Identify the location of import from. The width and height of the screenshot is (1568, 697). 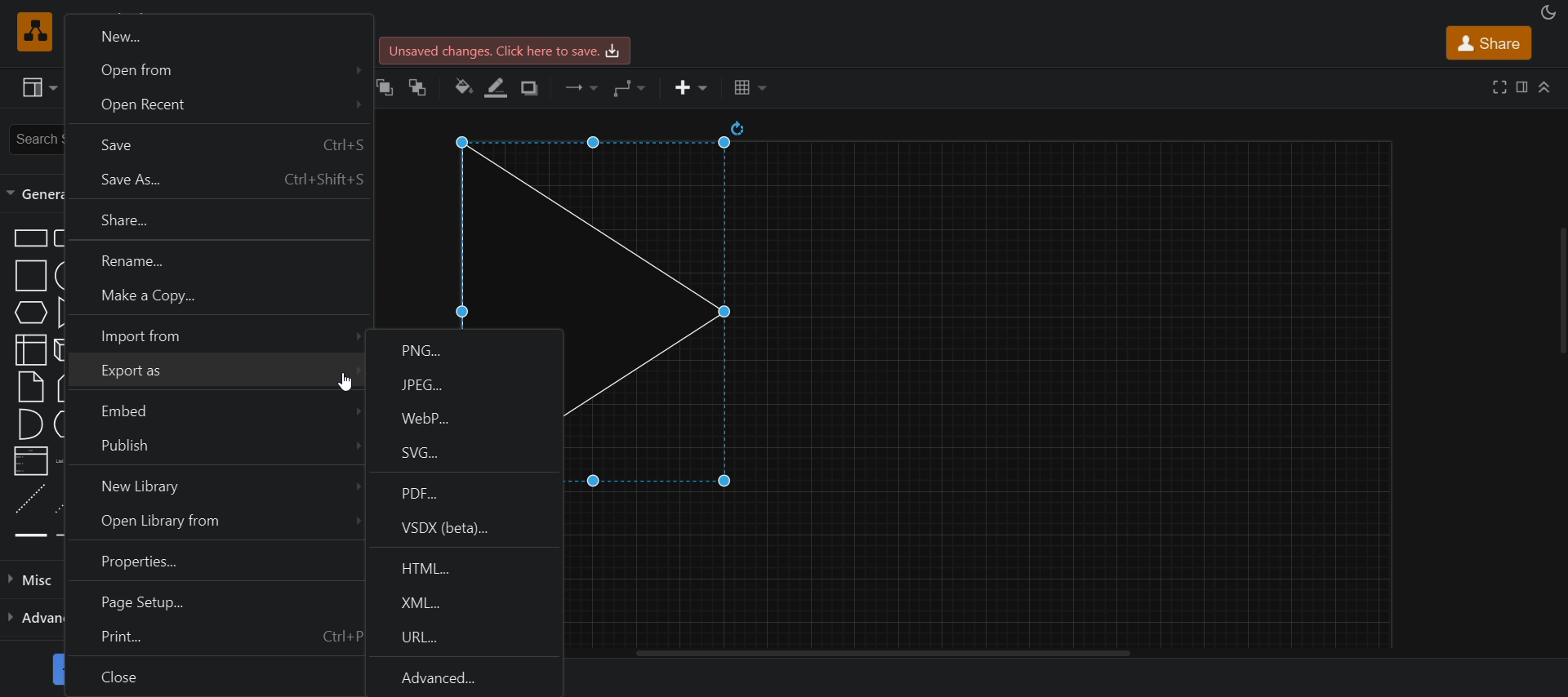
(216, 335).